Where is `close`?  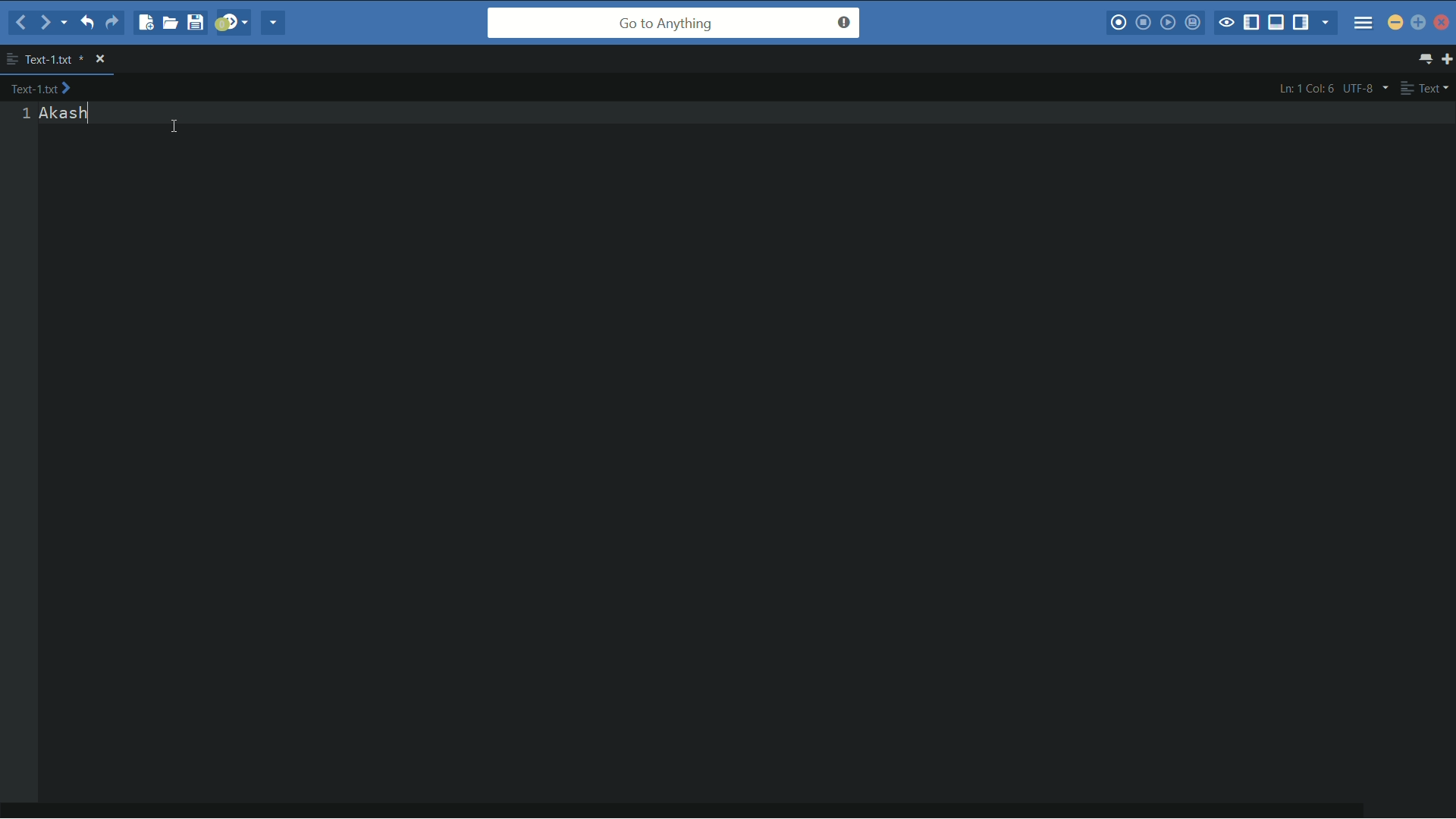
close is located at coordinates (100, 58).